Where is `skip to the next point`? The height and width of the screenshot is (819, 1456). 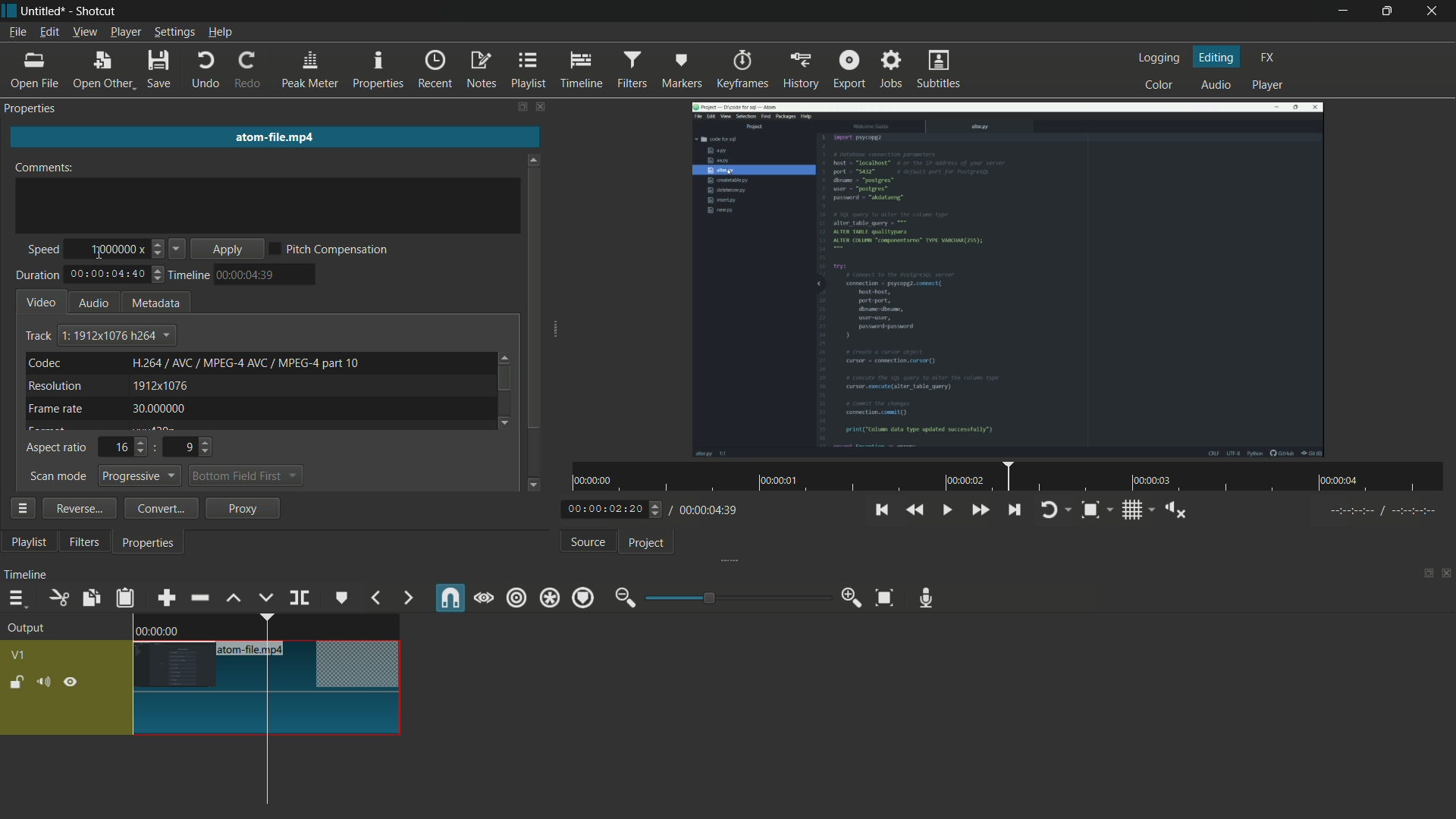
skip to the next point is located at coordinates (1014, 511).